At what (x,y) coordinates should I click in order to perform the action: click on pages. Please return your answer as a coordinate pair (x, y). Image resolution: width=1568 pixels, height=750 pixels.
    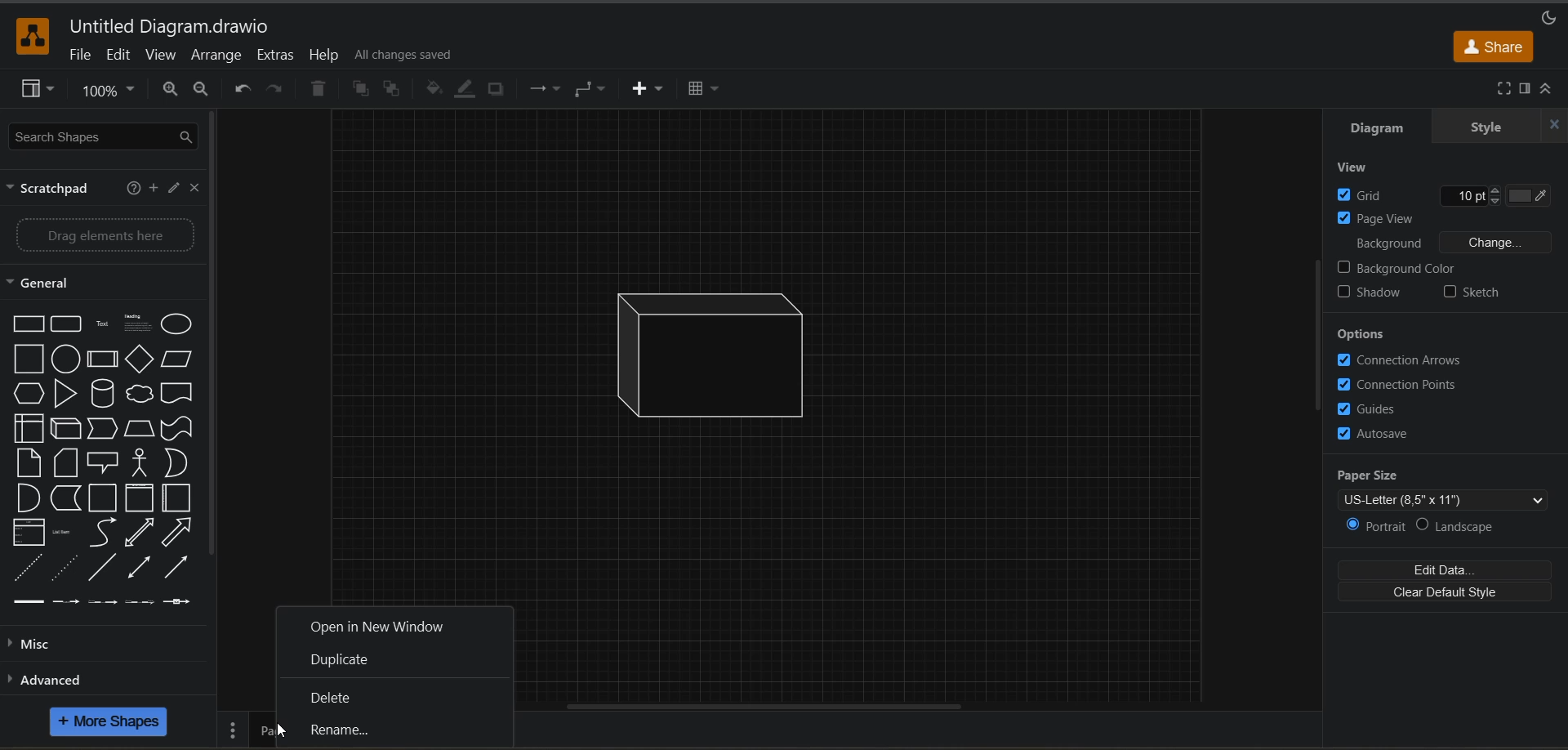
    Looking at the image, I should click on (238, 730).